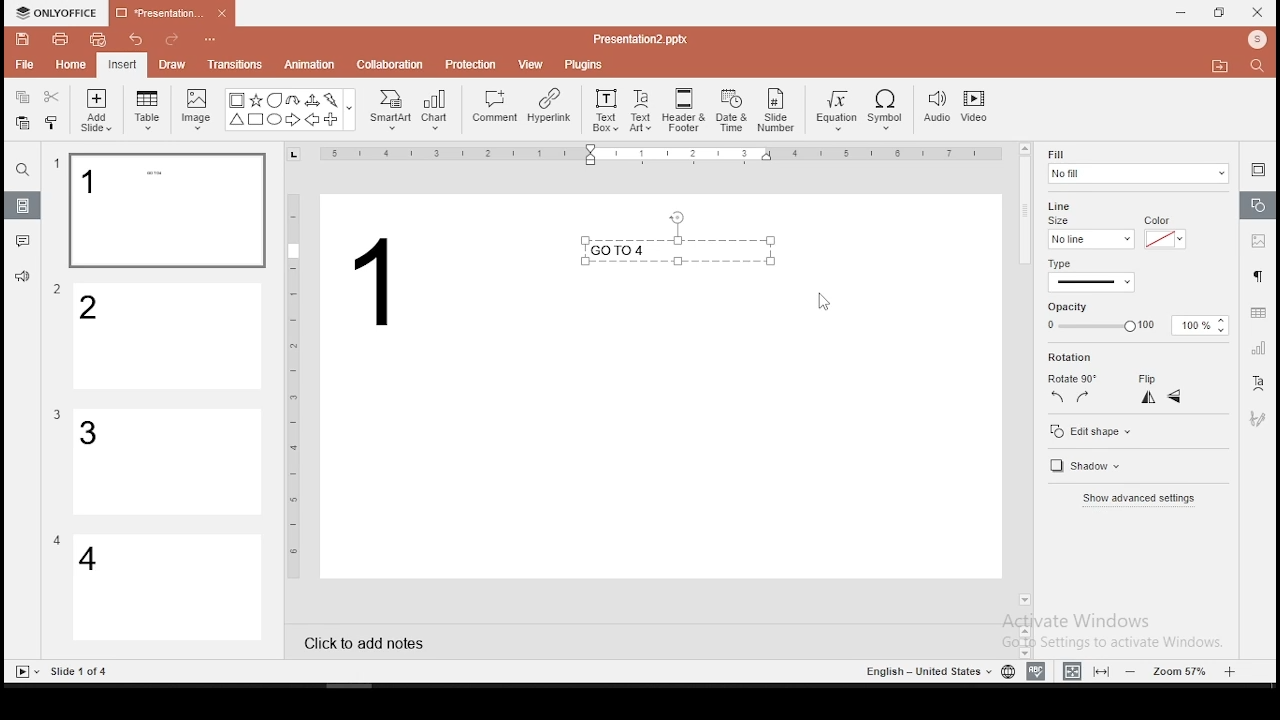 This screenshot has height=720, width=1280. I want to click on flip horizontal, so click(1146, 397).